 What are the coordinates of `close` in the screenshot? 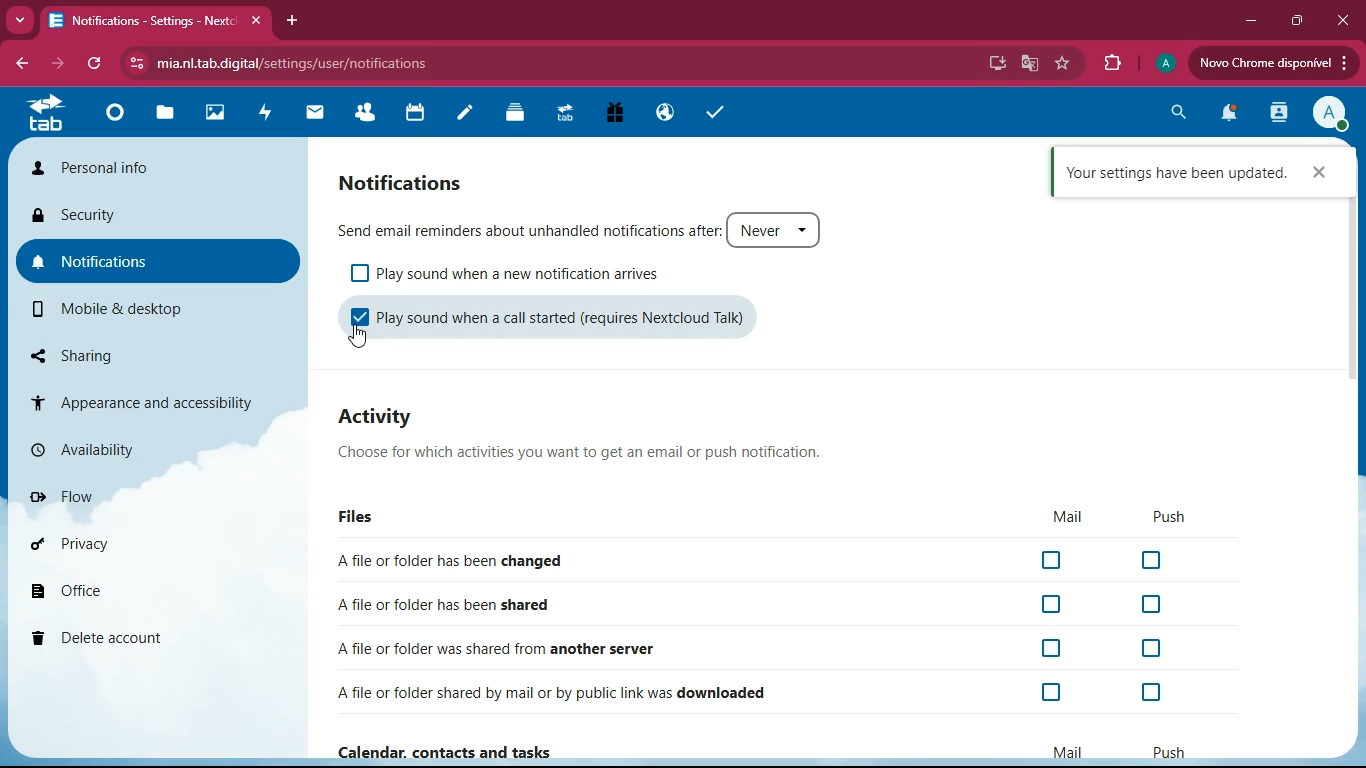 It's located at (1342, 20).